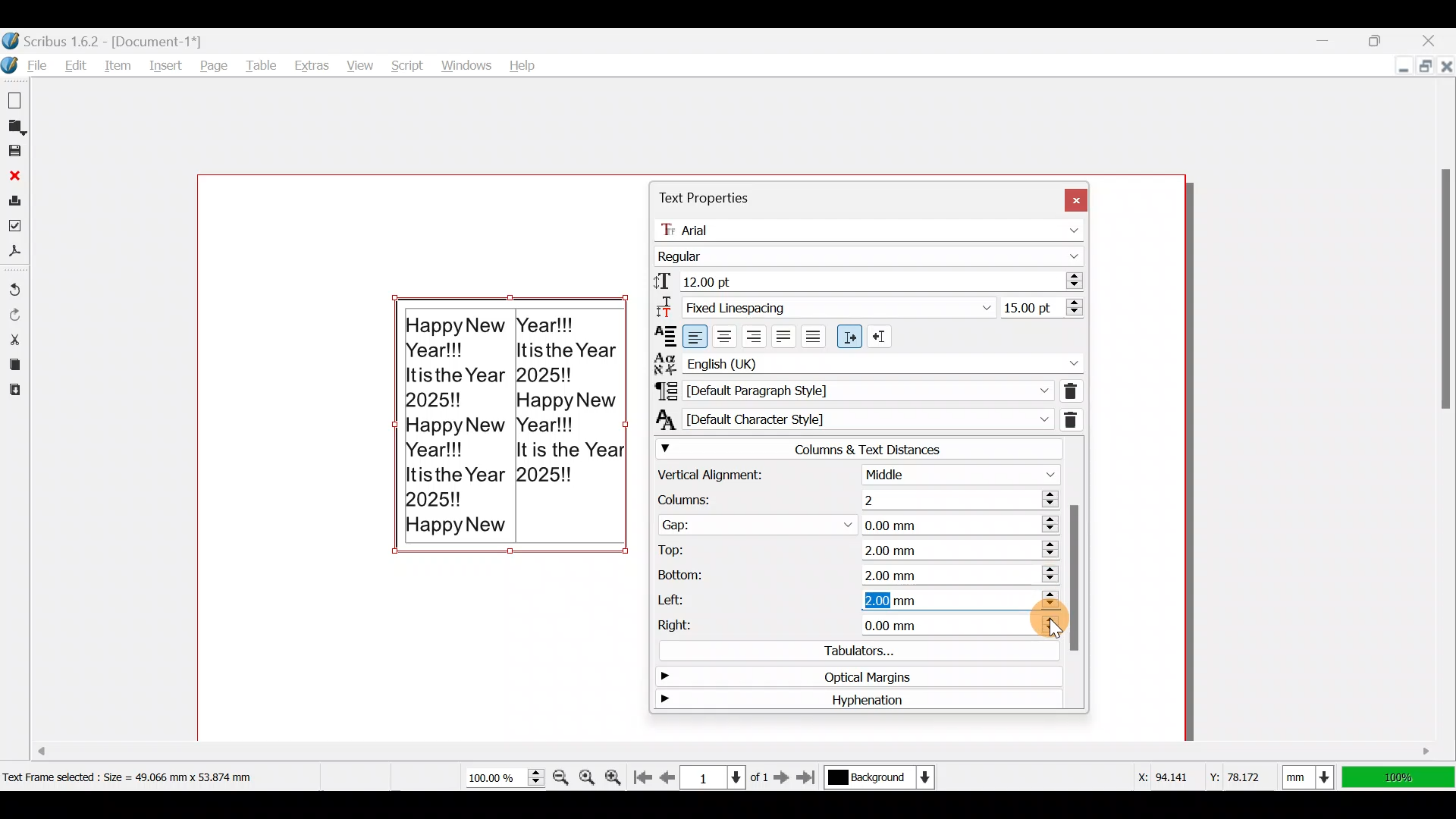  I want to click on Scroll bar, so click(1075, 573).